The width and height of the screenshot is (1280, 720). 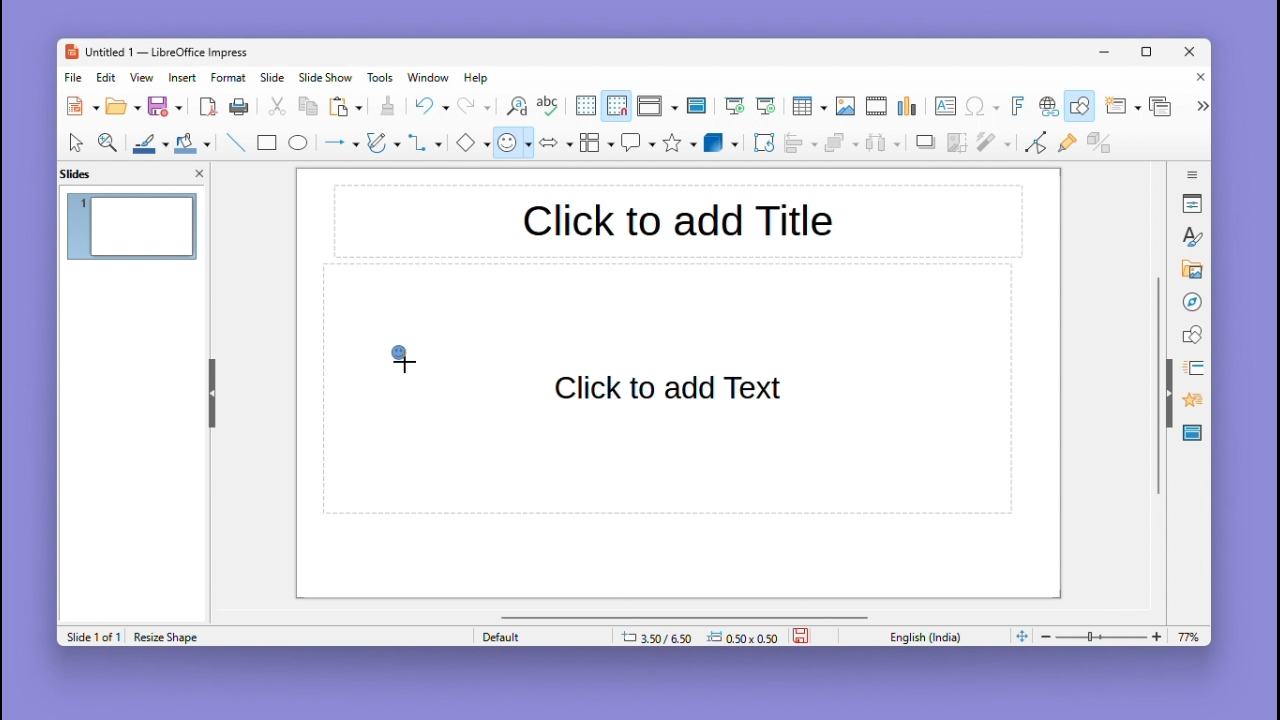 What do you see at coordinates (1158, 386) in the screenshot?
I see `Vertical scroll bar` at bounding box center [1158, 386].